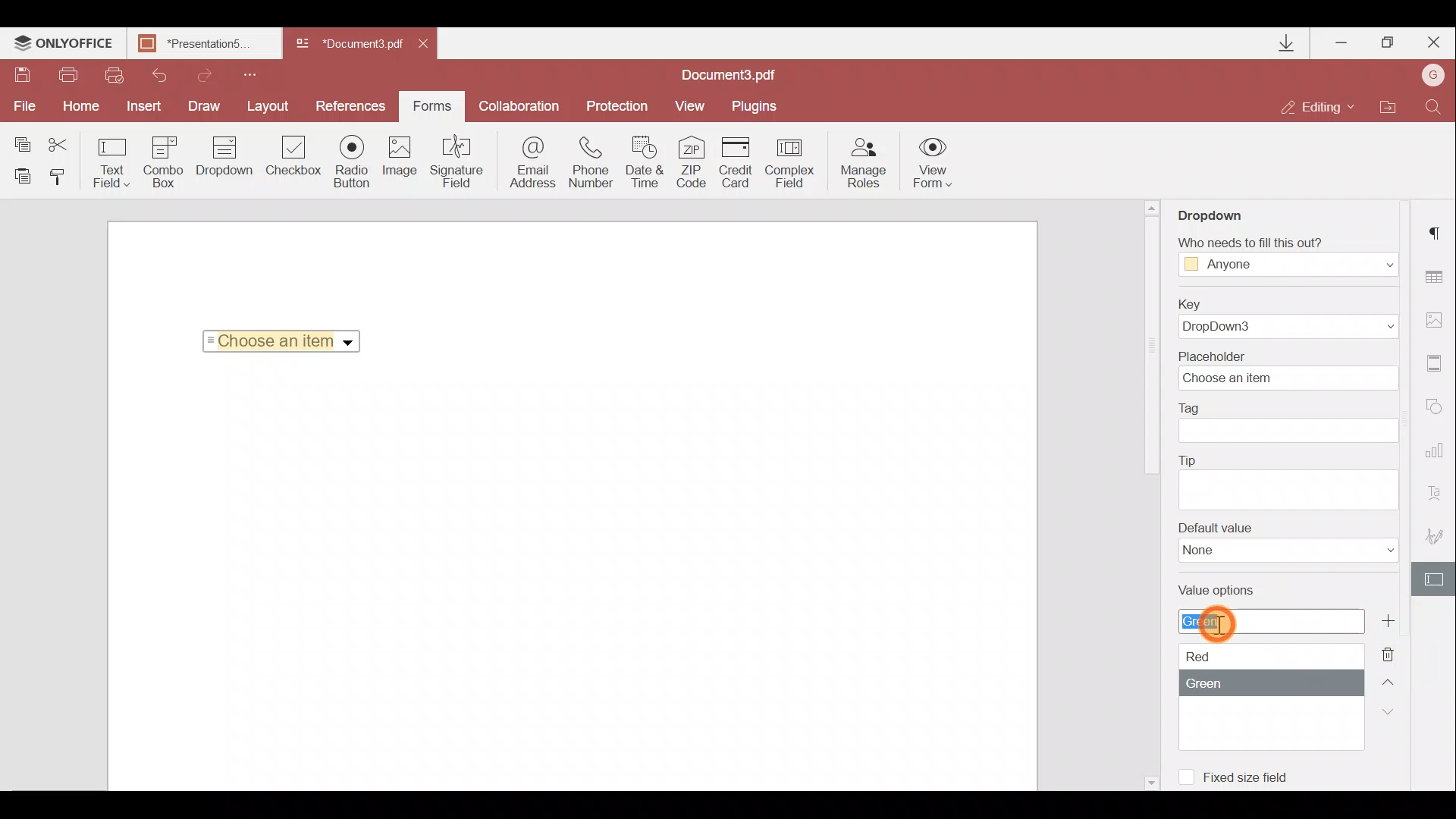  I want to click on Shapes settings, so click(1439, 408).